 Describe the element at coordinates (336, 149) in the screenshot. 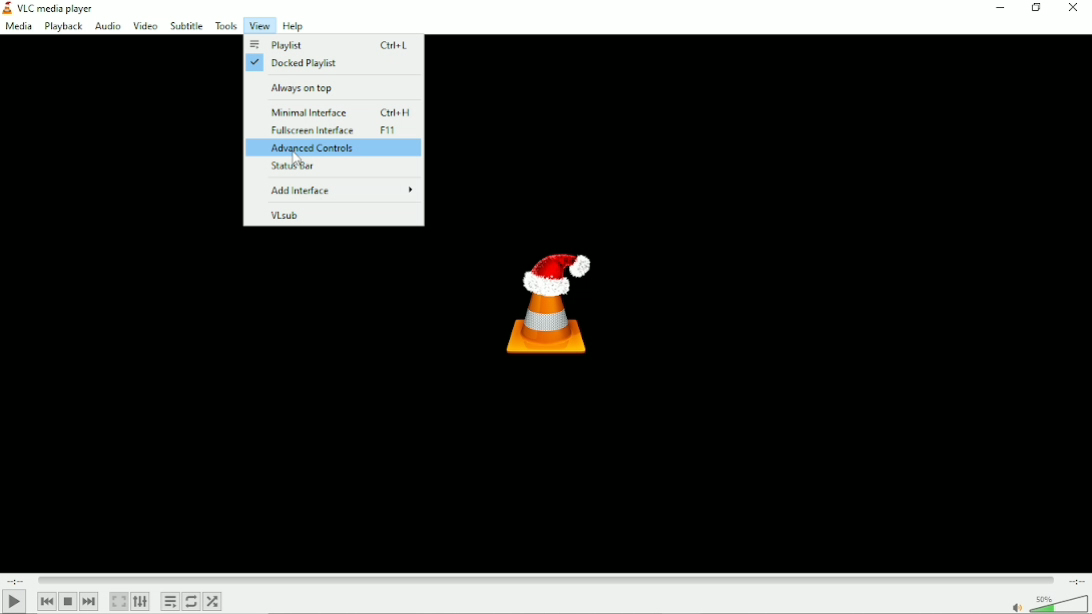

I see `Advanced controls` at that location.